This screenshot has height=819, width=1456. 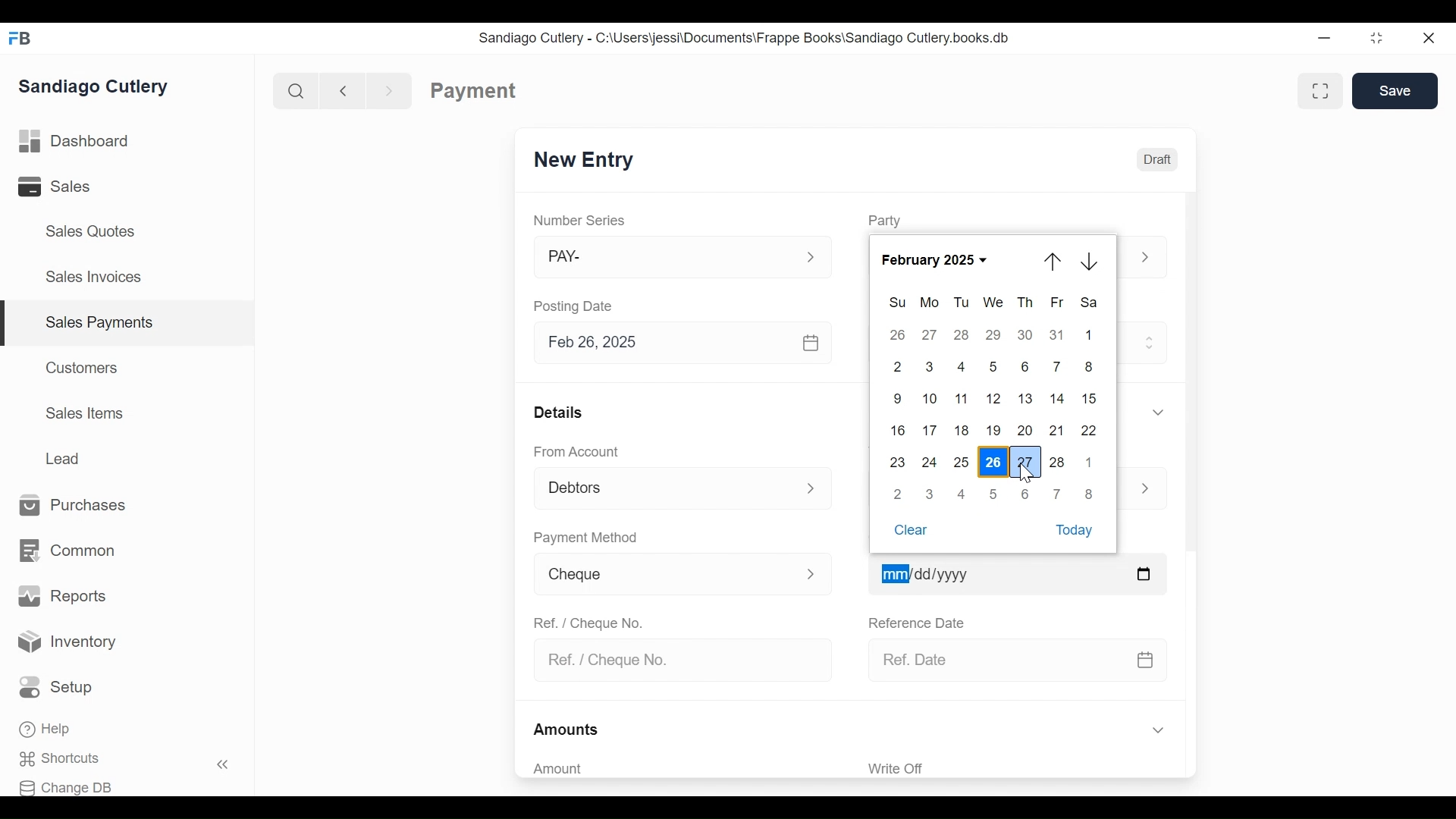 I want to click on 23, so click(x=899, y=461).